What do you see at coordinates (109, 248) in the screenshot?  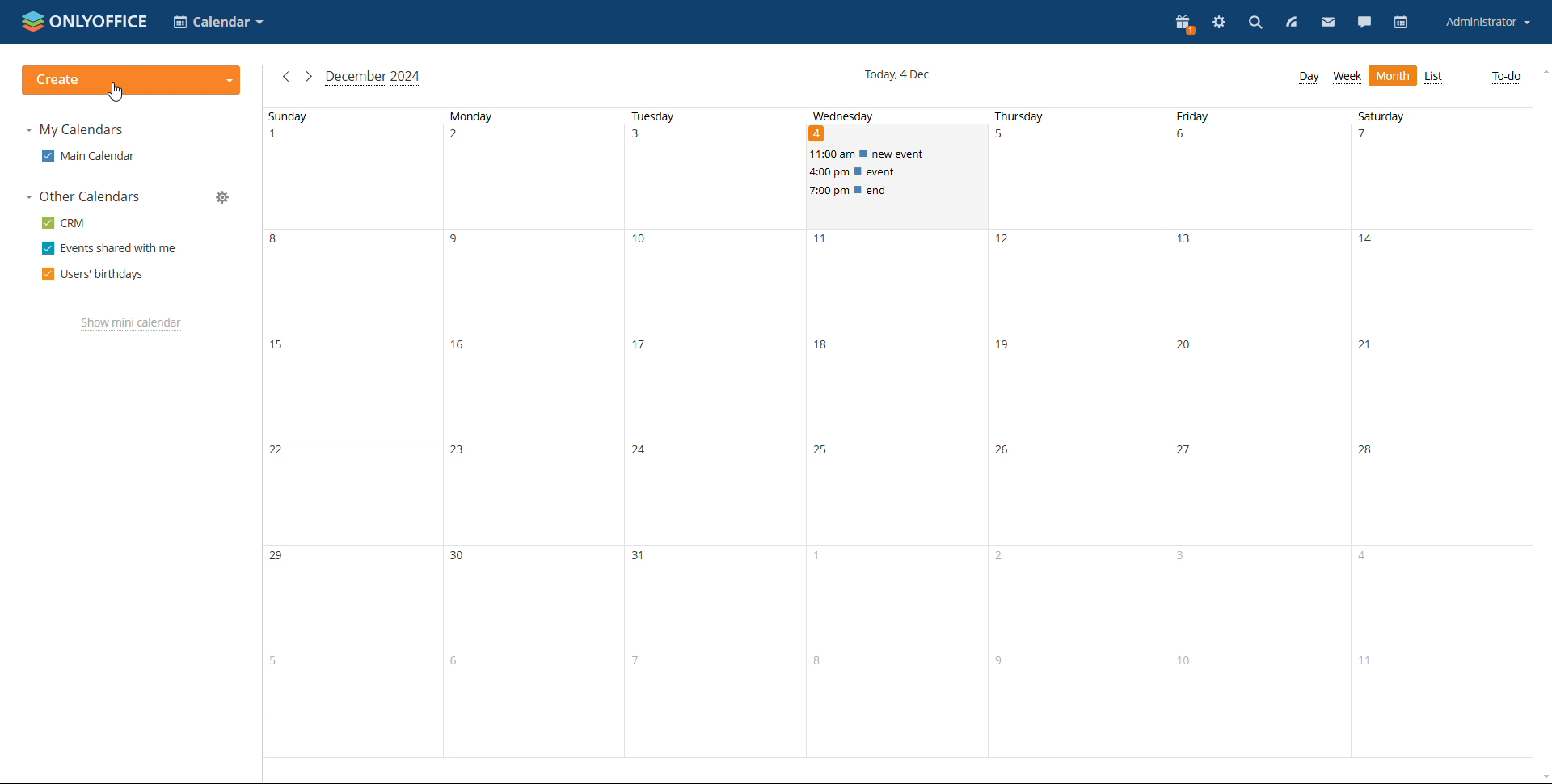 I see `events shared with me` at bounding box center [109, 248].